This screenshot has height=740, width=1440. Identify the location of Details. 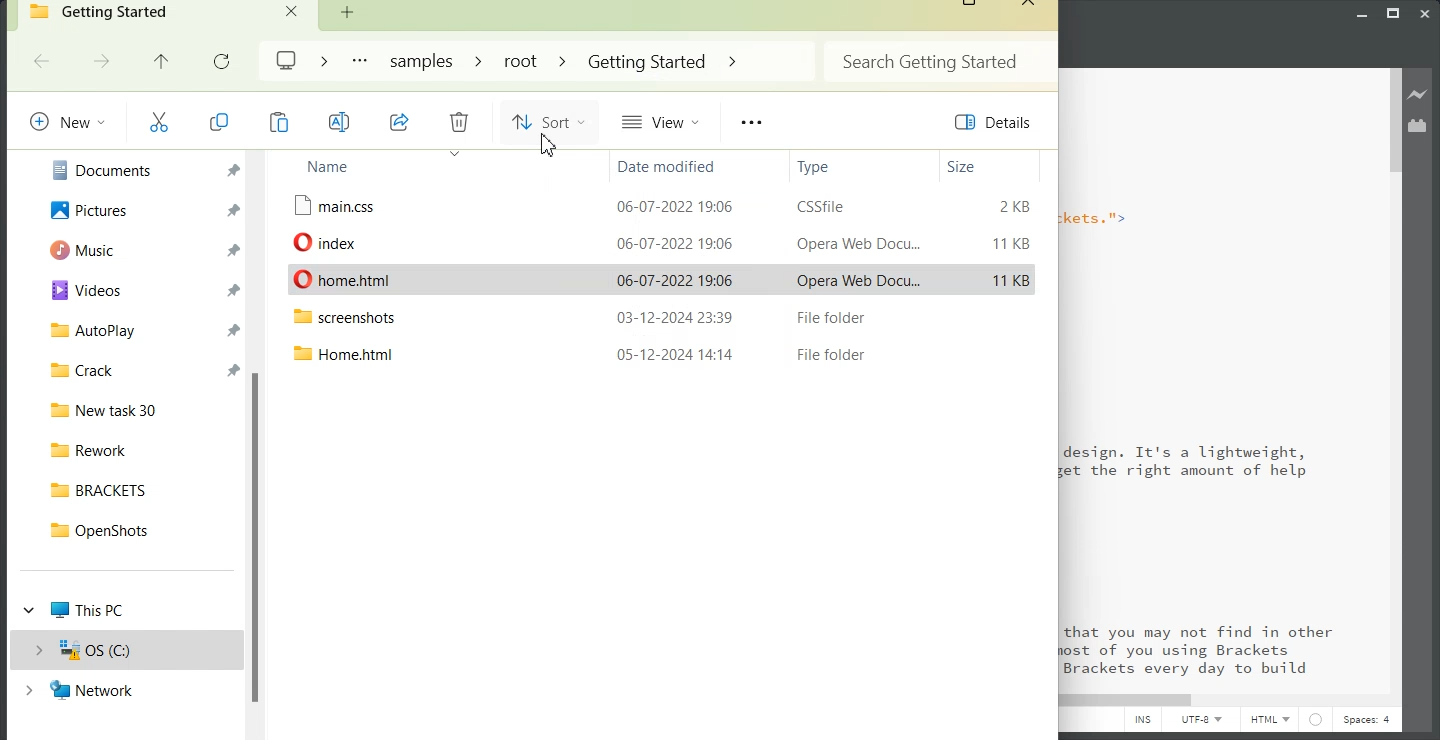
(993, 123).